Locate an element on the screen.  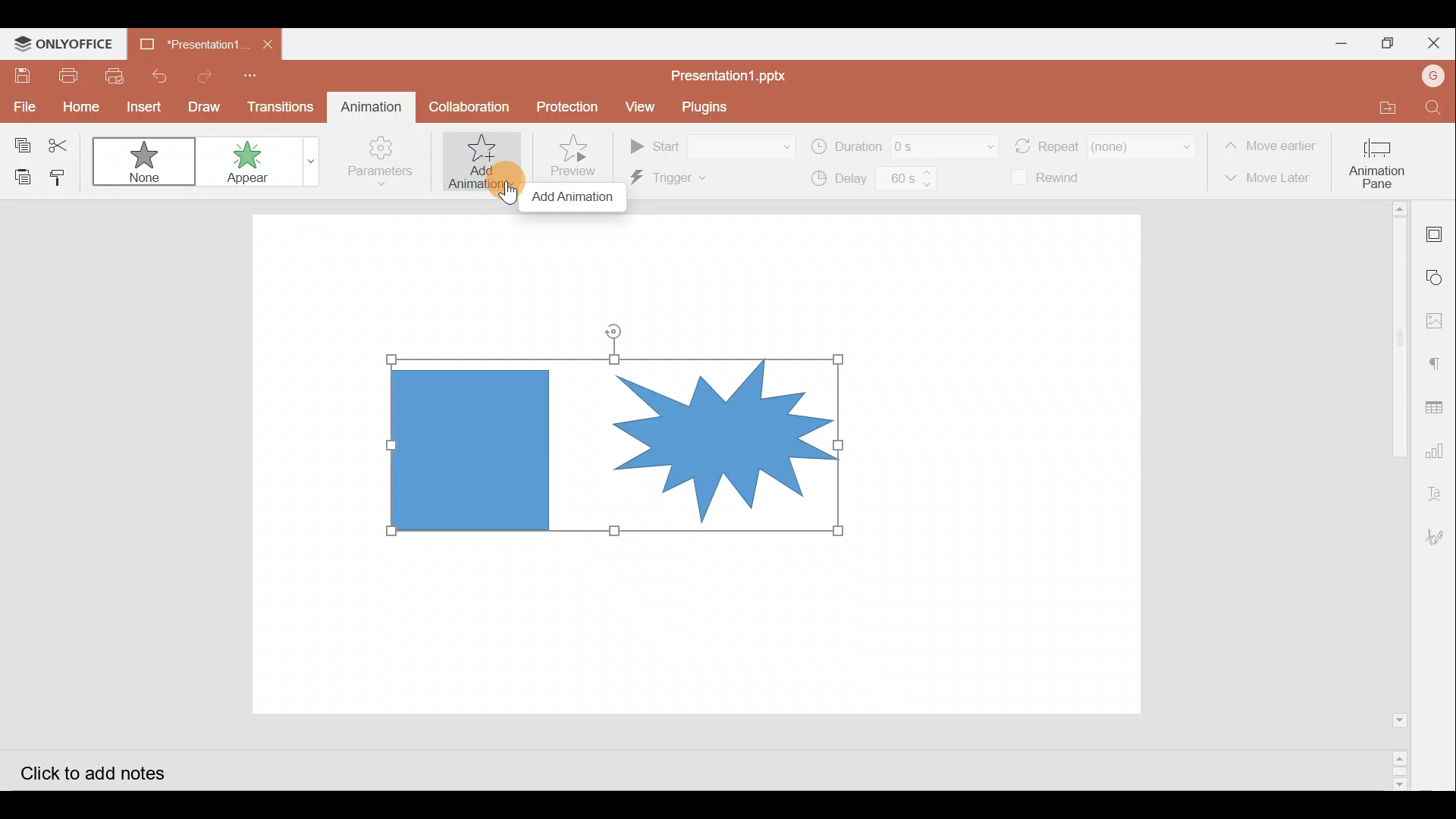
Presentation slide is located at coordinates (993, 466).